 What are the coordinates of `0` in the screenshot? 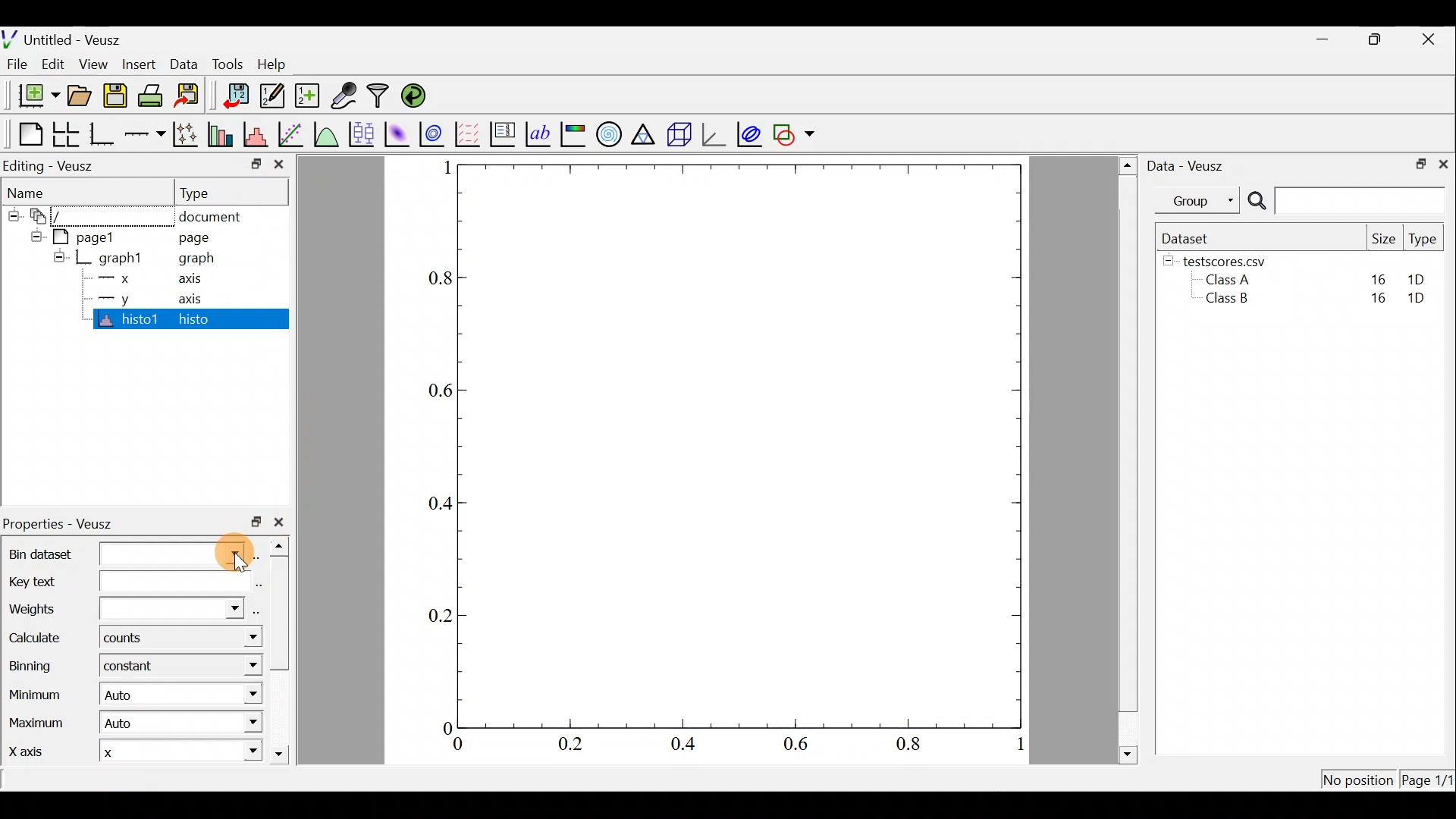 It's located at (441, 725).